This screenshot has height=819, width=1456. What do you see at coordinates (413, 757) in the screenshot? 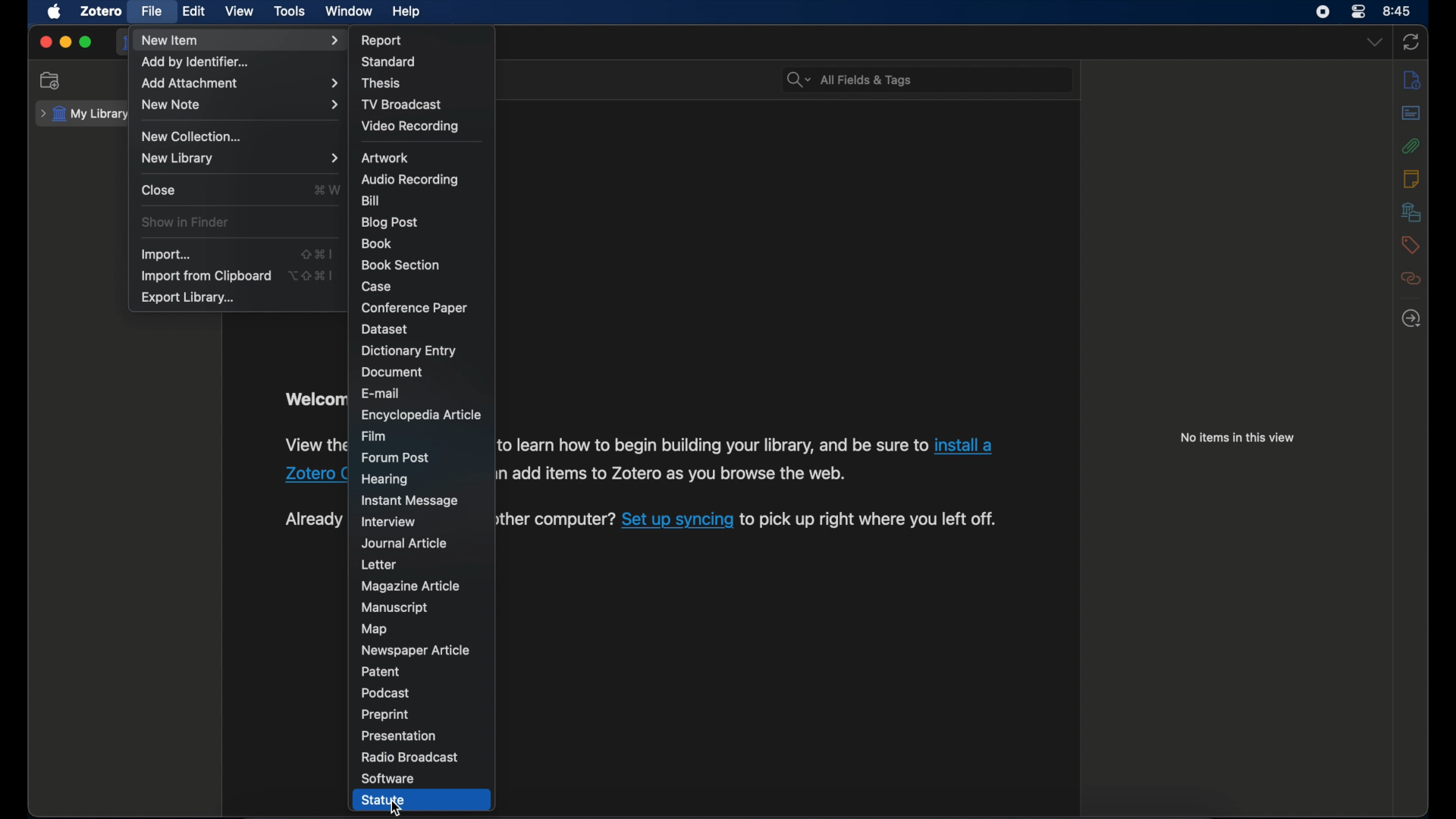
I see `radio broadcast` at bounding box center [413, 757].